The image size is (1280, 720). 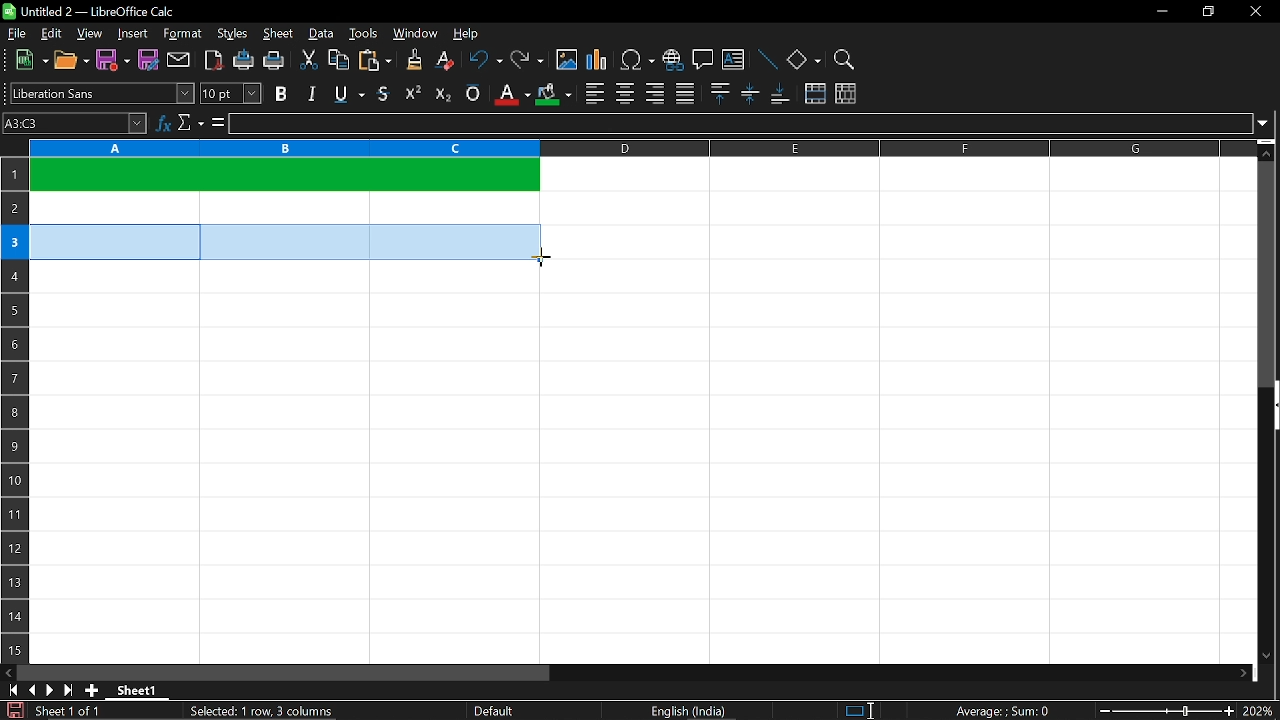 What do you see at coordinates (66, 691) in the screenshot?
I see `go to last sheet` at bounding box center [66, 691].